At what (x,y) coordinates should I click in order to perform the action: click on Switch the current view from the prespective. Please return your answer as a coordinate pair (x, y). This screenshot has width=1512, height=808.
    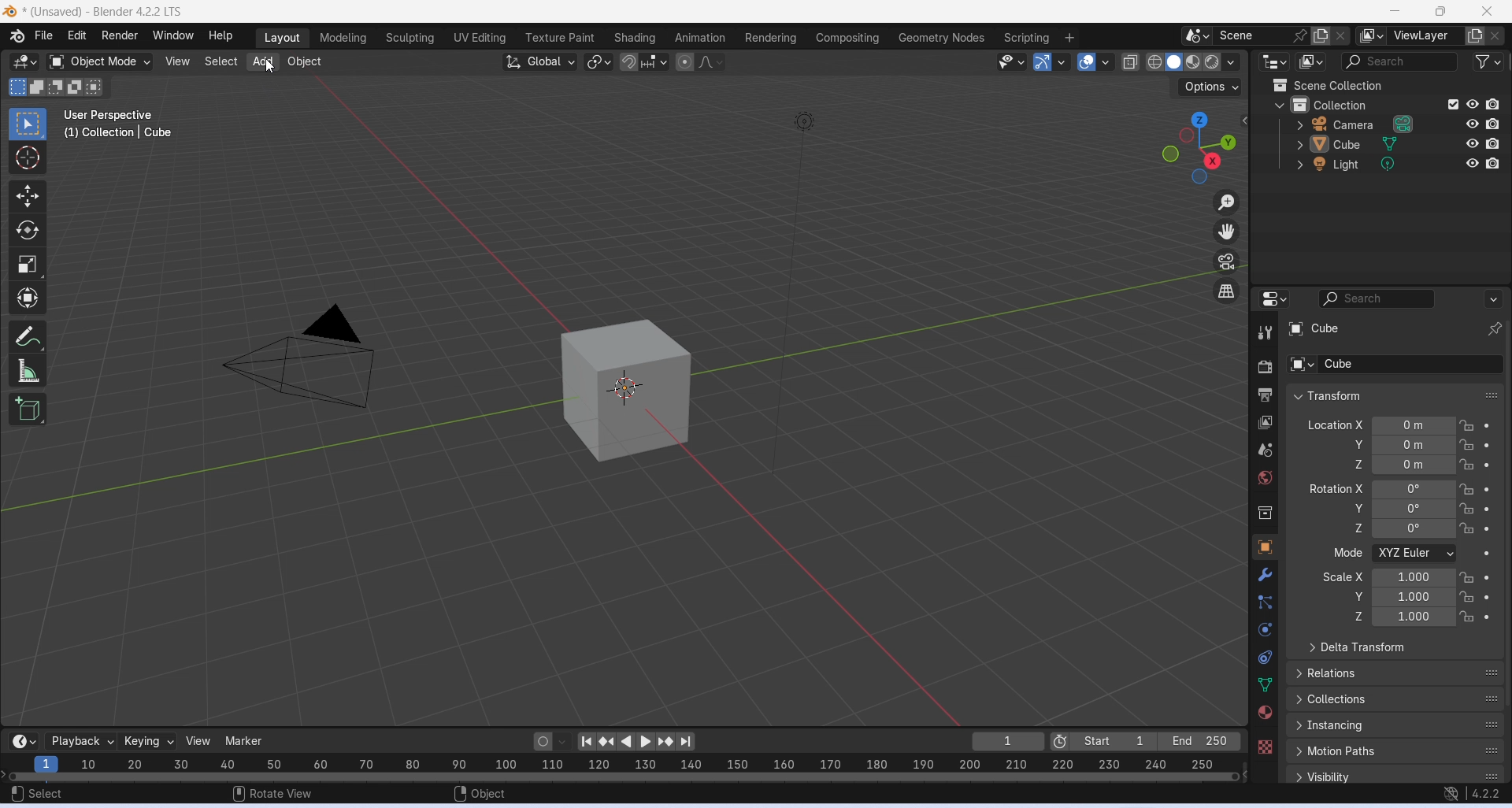
    Looking at the image, I should click on (1228, 292).